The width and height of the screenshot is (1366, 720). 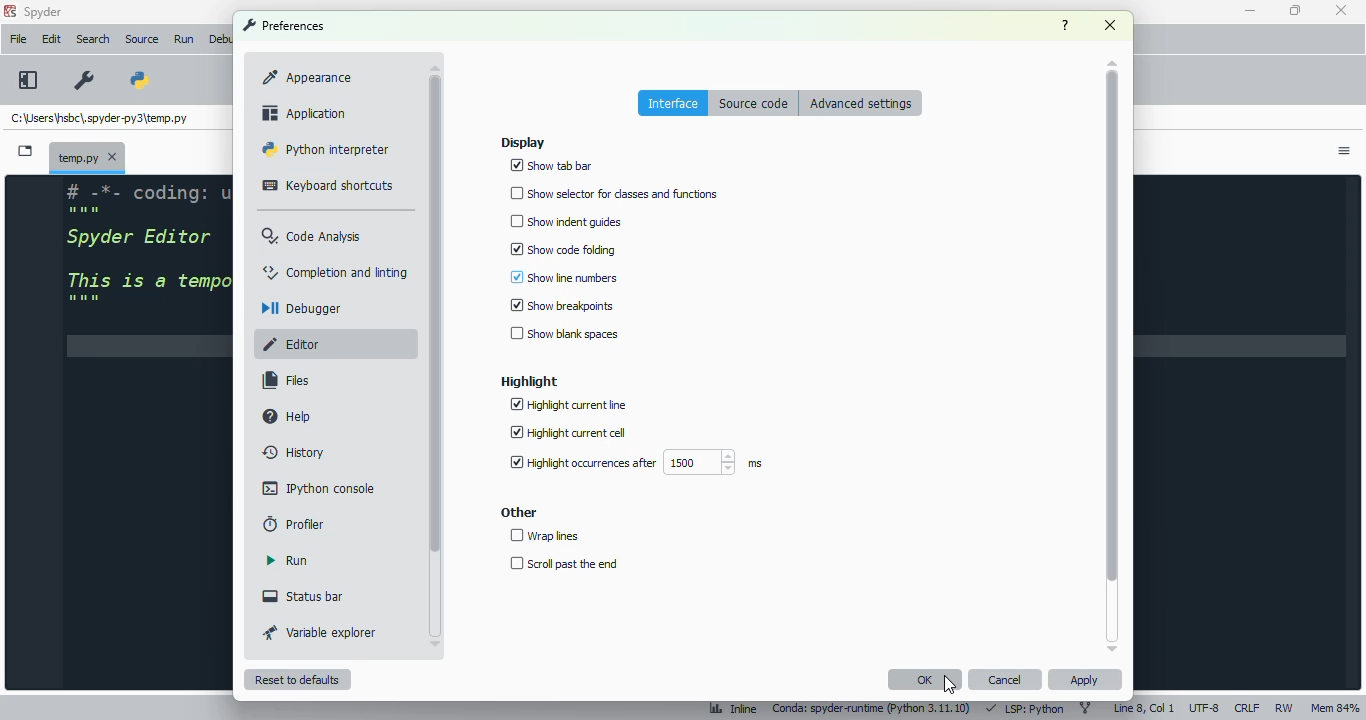 What do you see at coordinates (1065, 25) in the screenshot?
I see `help` at bounding box center [1065, 25].